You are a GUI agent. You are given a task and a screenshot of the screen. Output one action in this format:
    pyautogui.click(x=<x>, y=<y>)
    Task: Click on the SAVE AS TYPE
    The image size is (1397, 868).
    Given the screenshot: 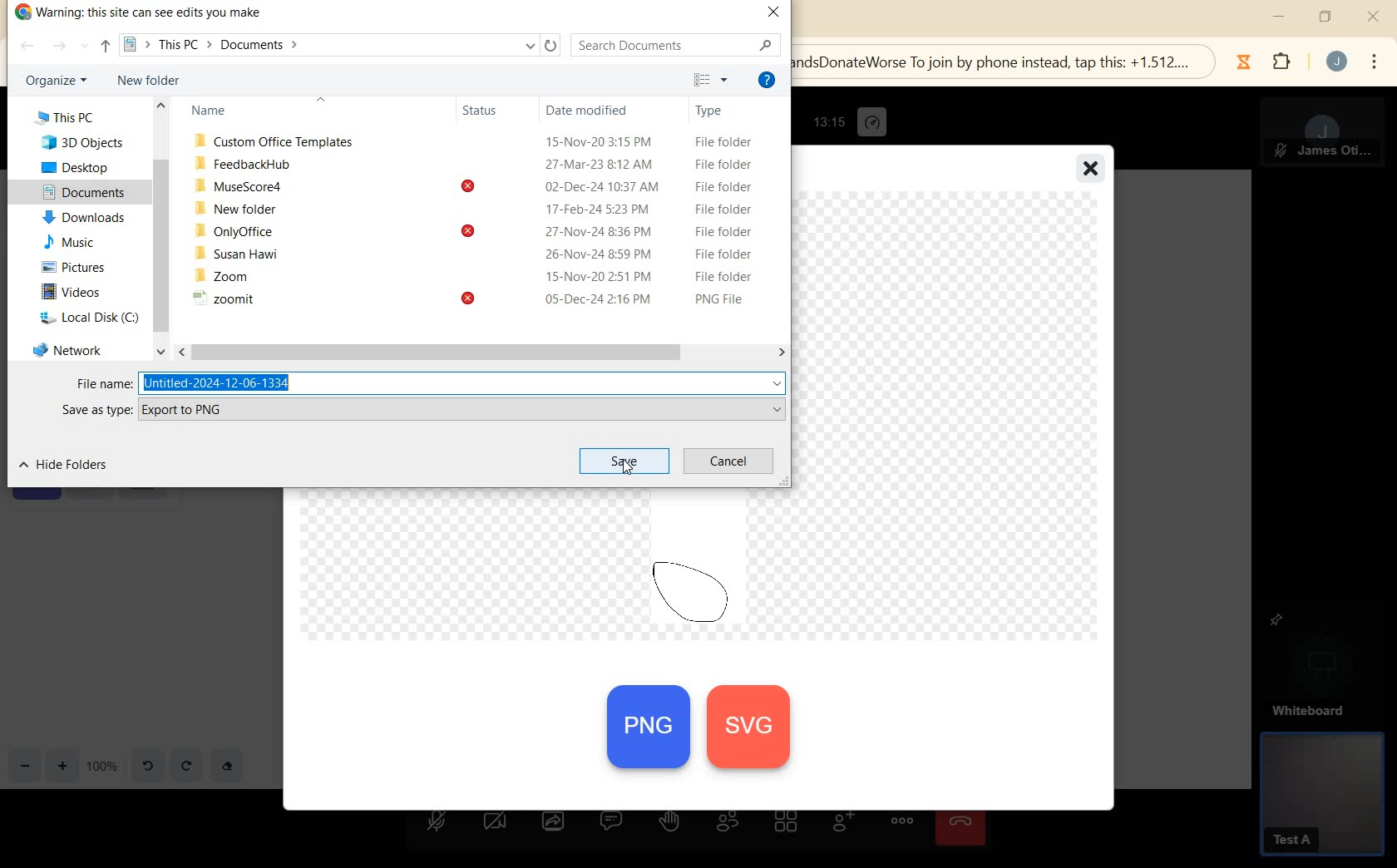 What is the action you would take?
    pyautogui.click(x=96, y=410)
    